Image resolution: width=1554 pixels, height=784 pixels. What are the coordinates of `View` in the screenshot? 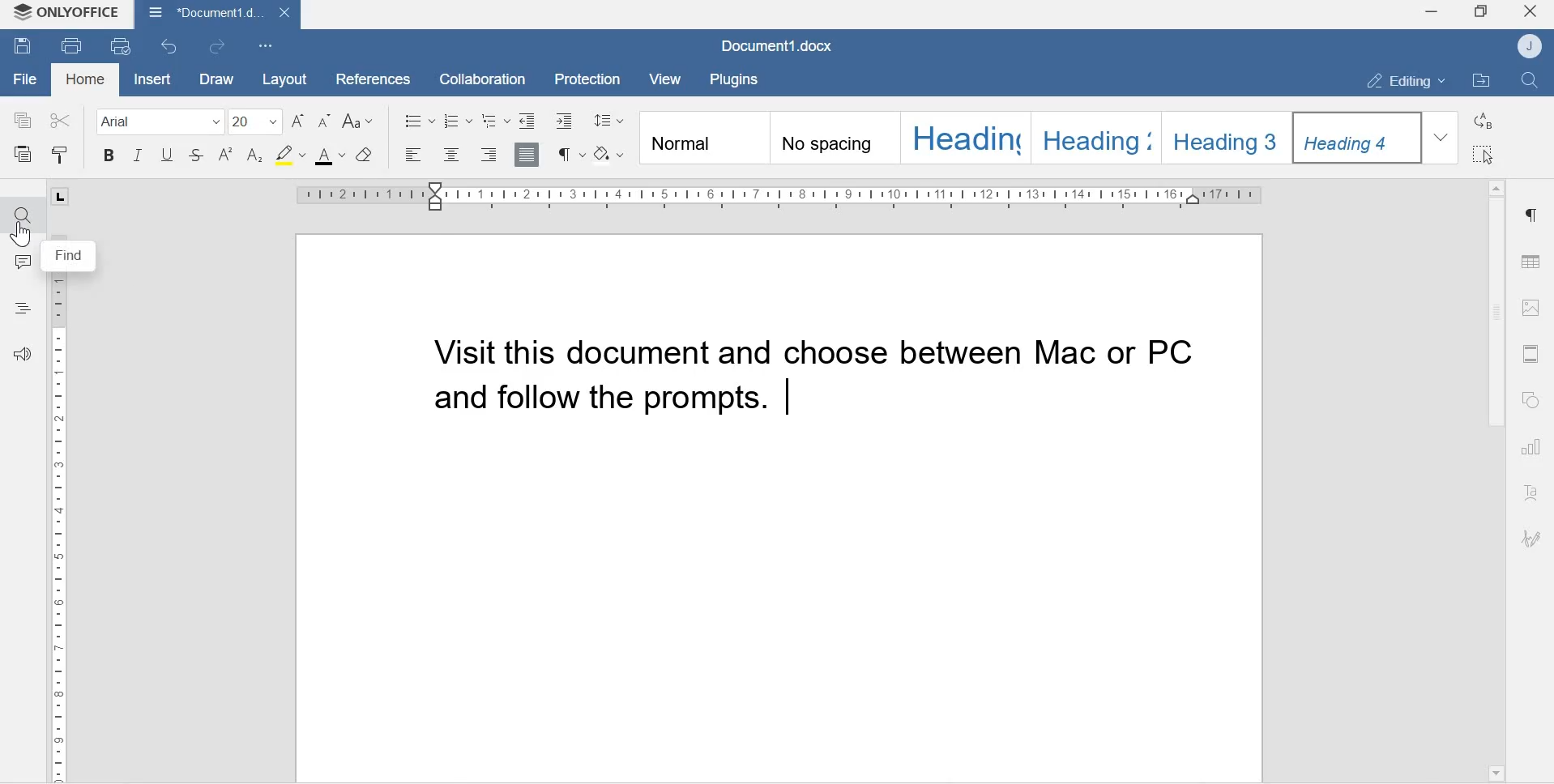 It's located at (668, 79).